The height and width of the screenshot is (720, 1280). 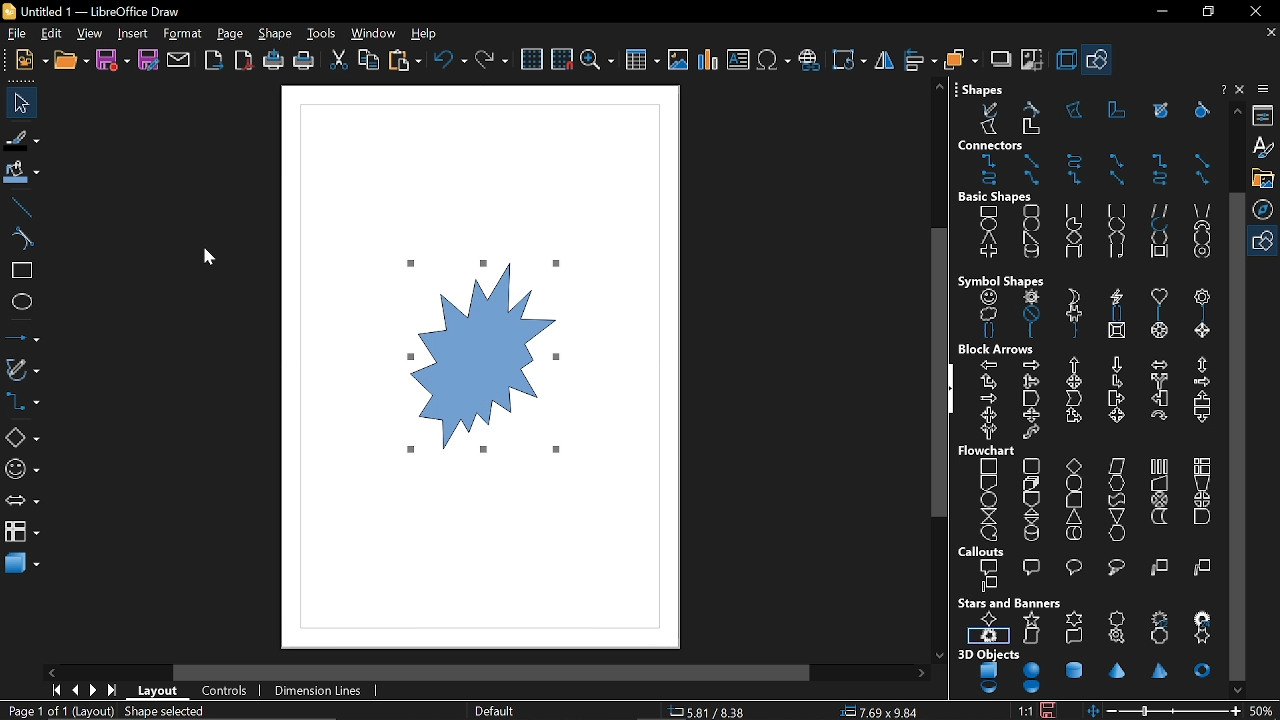 What do you see at coordinates (20, 174) in the screenshot?
I see `fill color` at bounding box center [20, 174].